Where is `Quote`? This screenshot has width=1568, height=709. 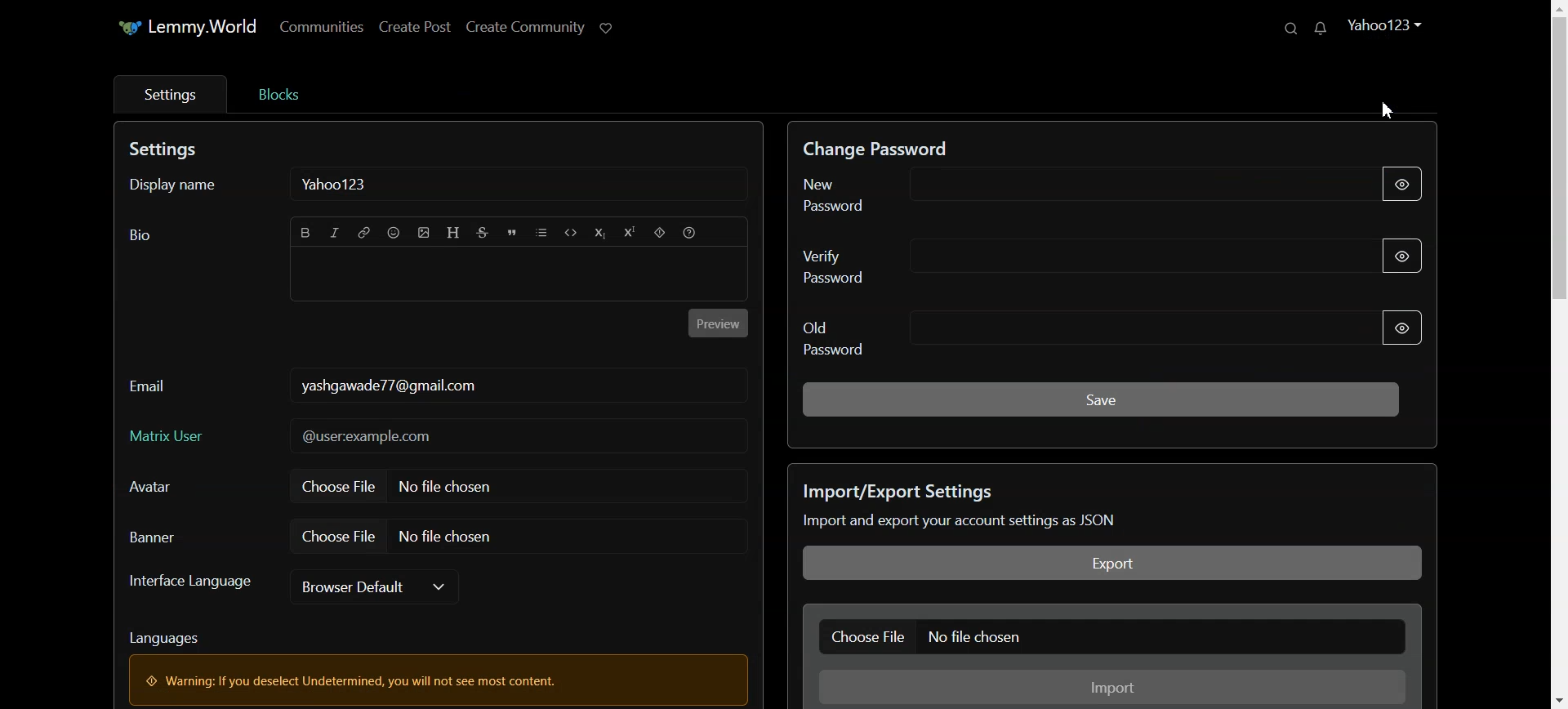
Quote is located at coordinates (511, 231).